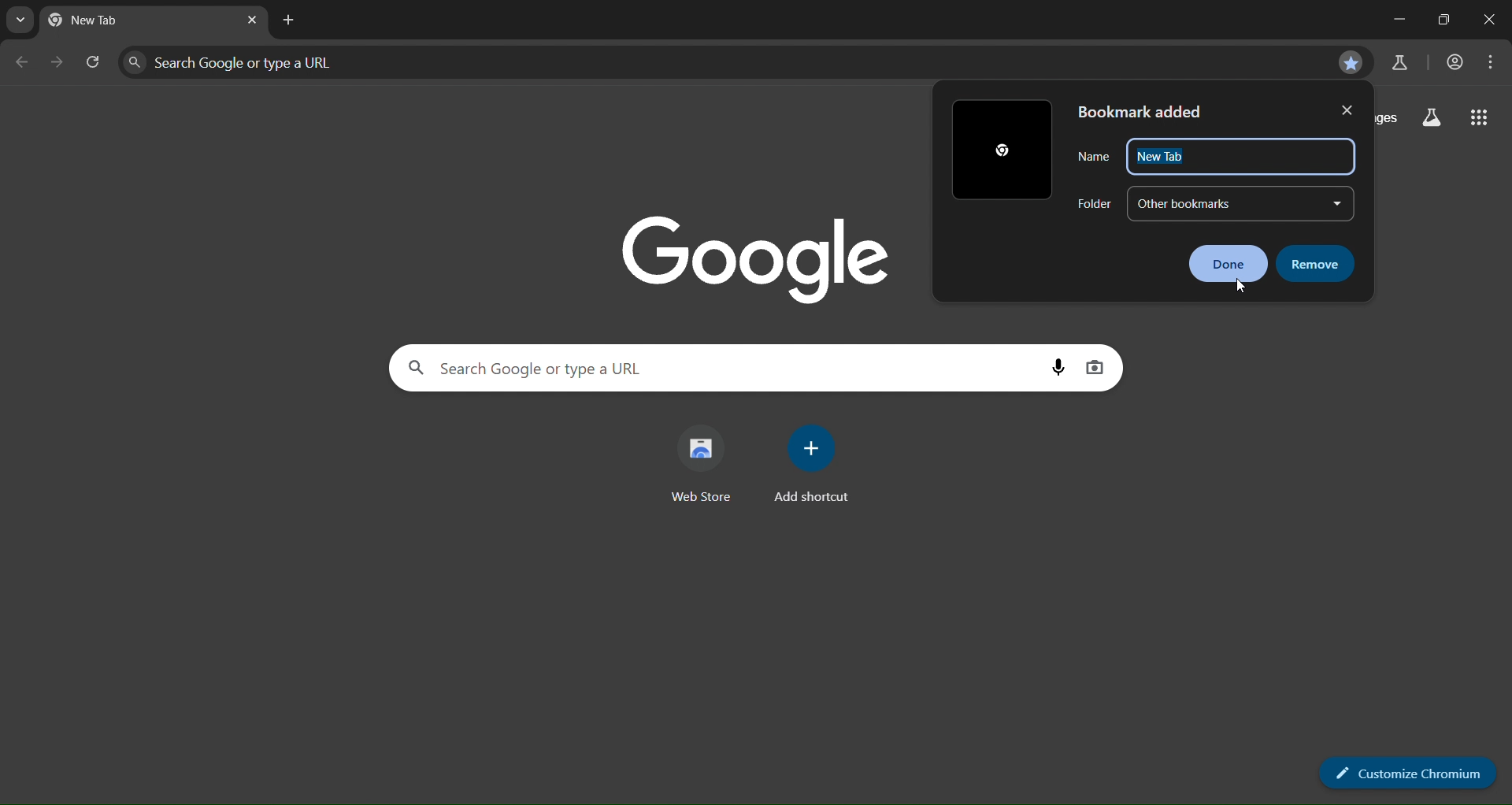 This screenshot has width=1512, height=805. Describe the element at coordinates (1443, 18) in the screenshot. I see `restore down` at that location.